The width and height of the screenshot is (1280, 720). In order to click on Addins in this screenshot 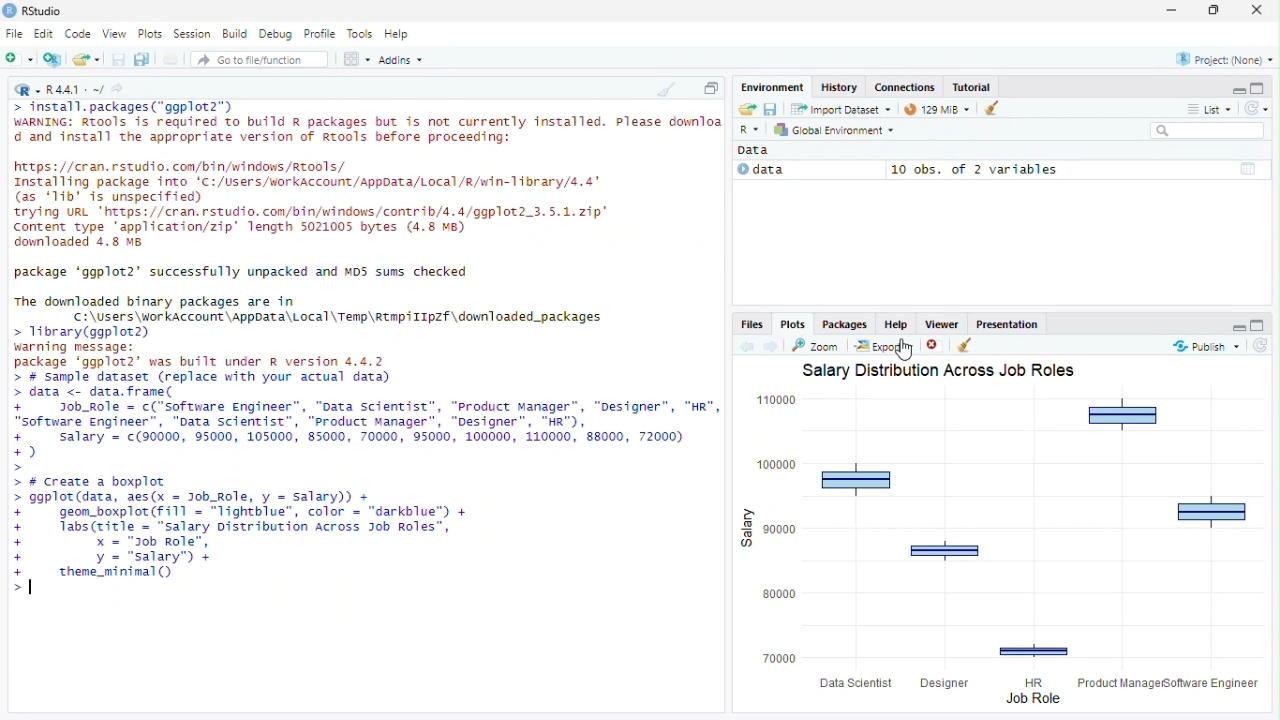, I will do `click(400, 58)`.